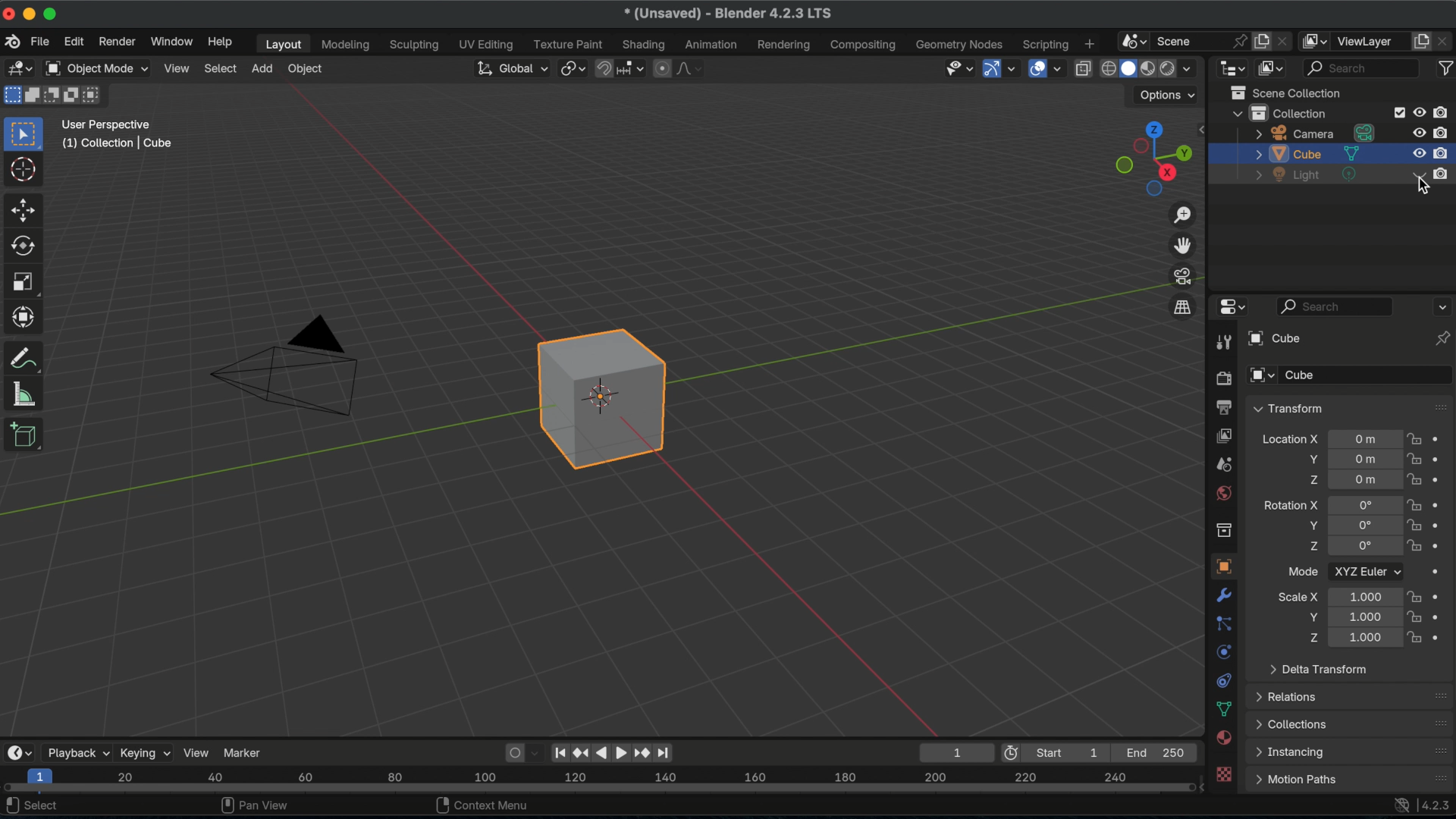  I want to click on hide in viewport, so click(1419, 112).